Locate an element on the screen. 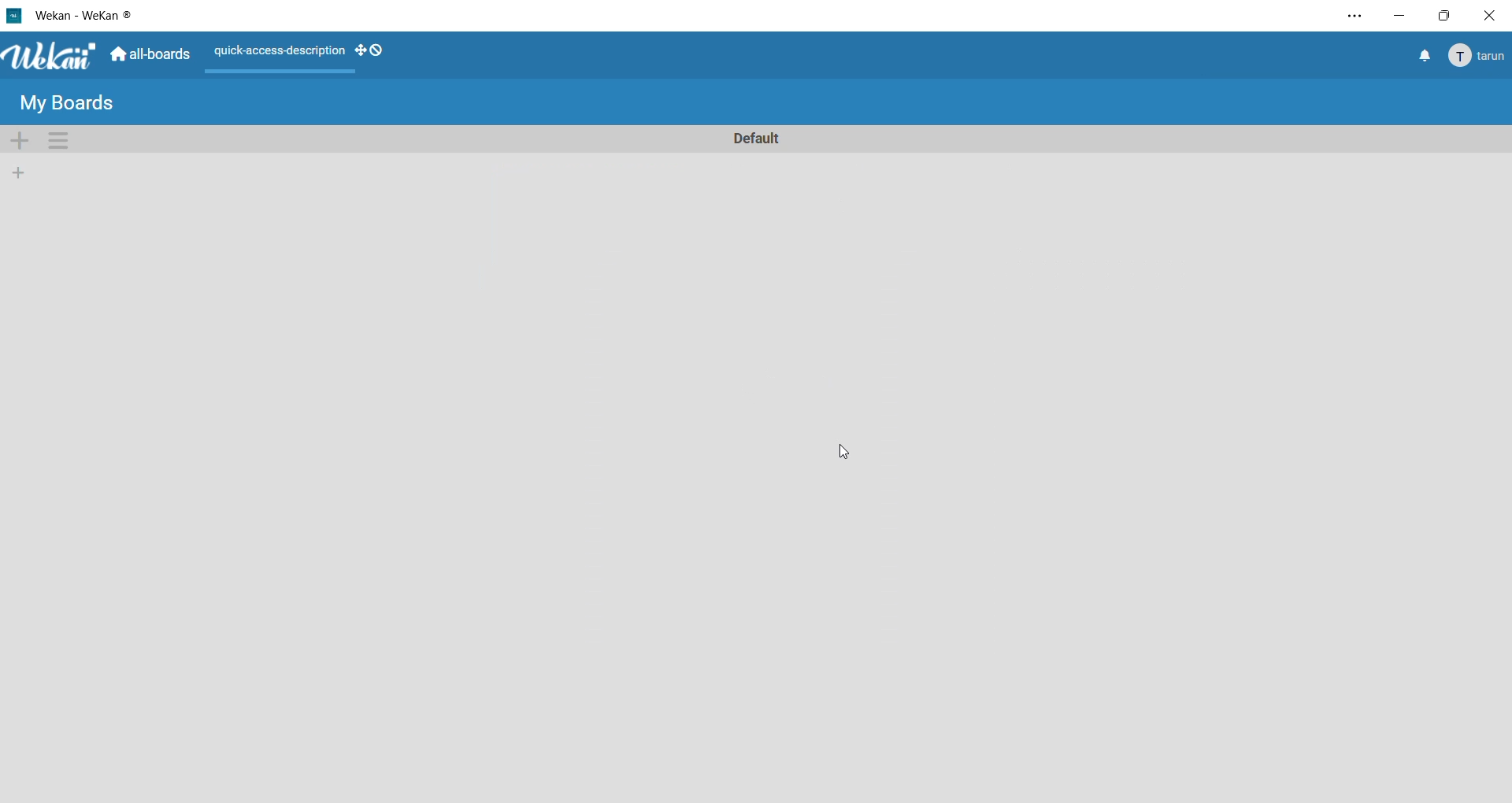  wekan is located at coordinates (51, 57).